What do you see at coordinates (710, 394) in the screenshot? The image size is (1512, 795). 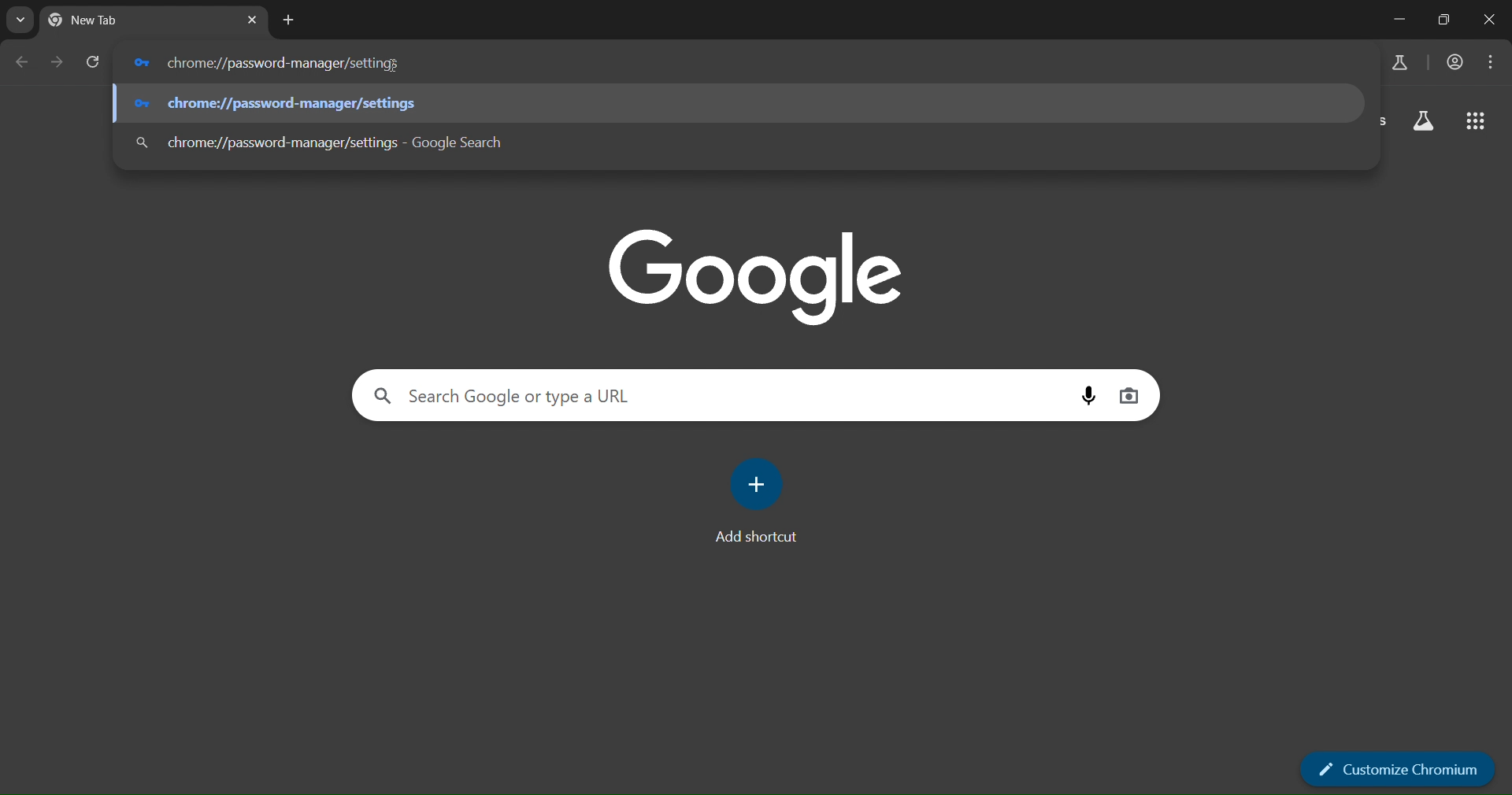 I see `Search Google or type a URL` at bounding box center [710, 394].